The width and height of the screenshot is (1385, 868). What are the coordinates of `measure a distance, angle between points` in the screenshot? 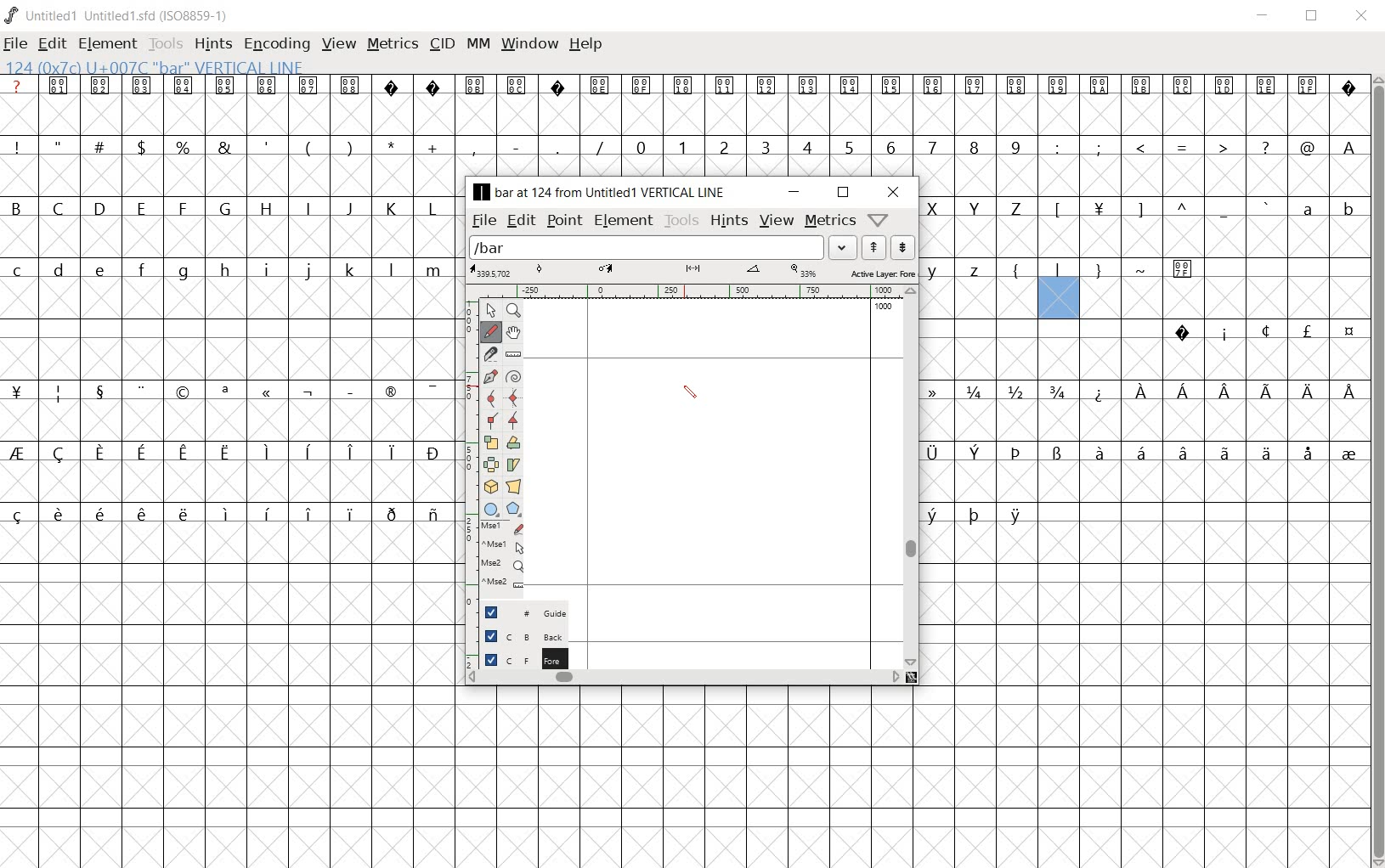 It's located at (514, 355).